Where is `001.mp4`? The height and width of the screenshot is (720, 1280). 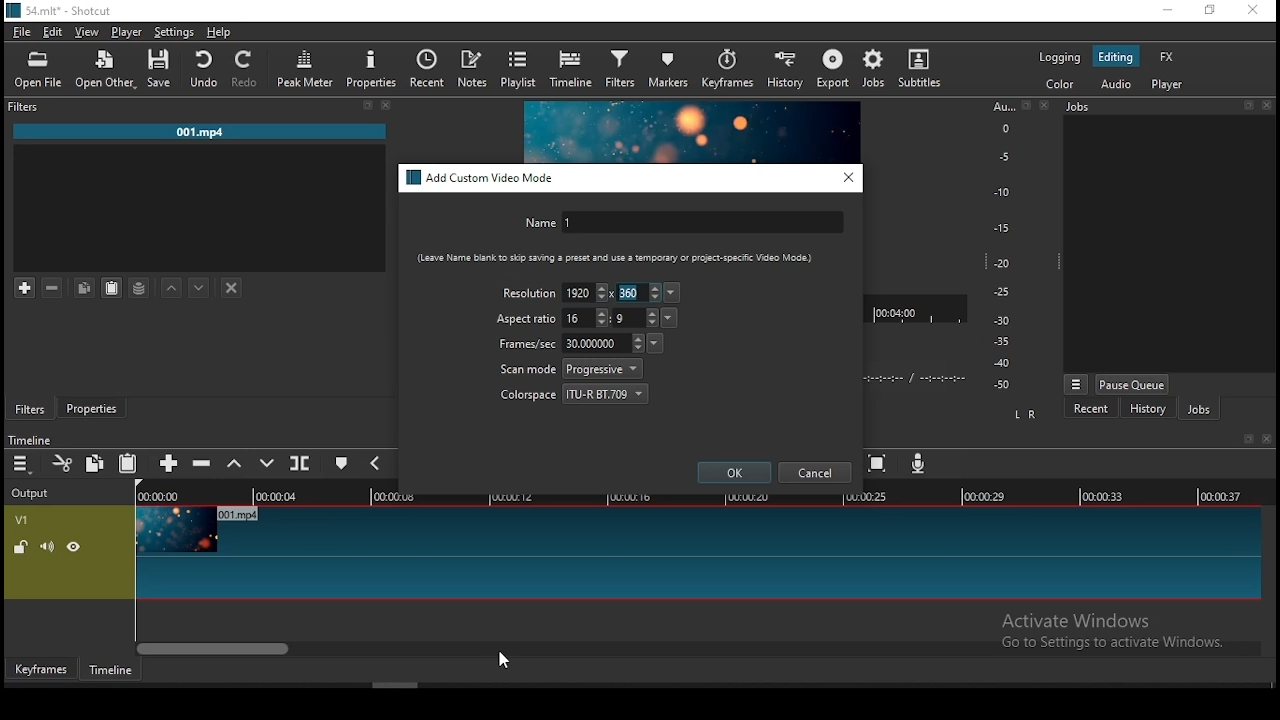
001.mp4 is located at coordinates (200, 133).